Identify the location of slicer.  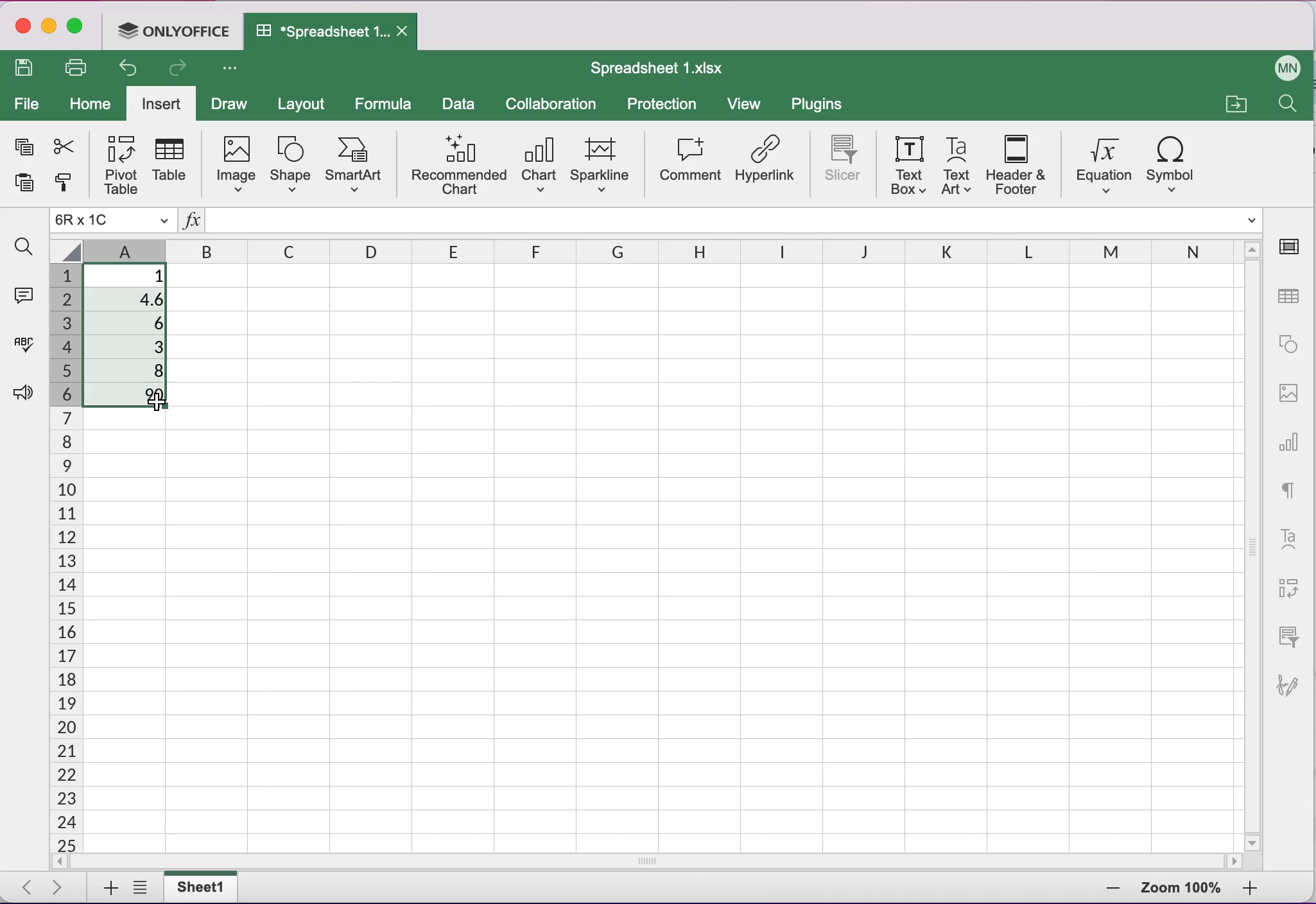
(1287, 640).